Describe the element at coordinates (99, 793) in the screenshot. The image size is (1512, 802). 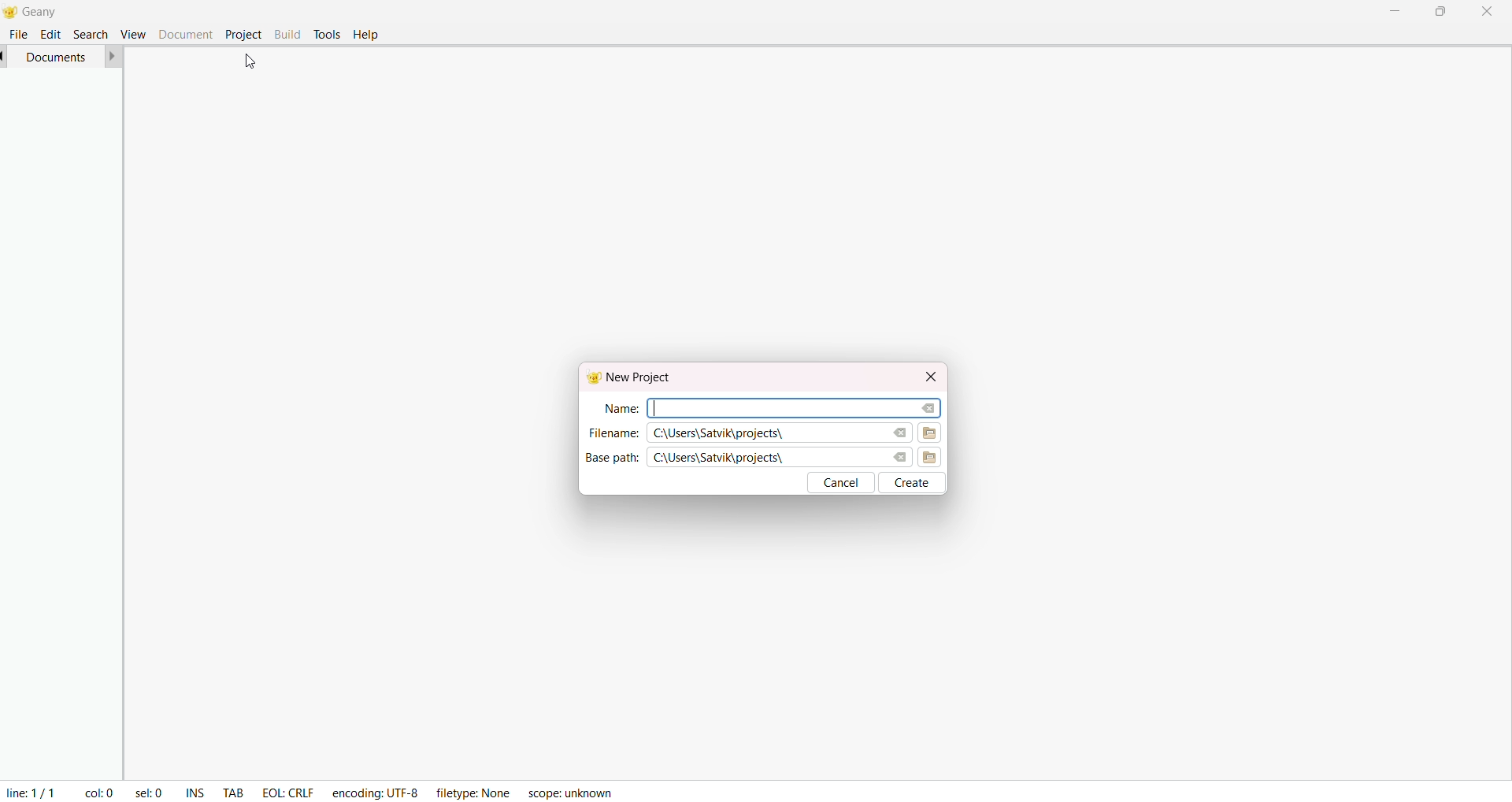
I see `coL: 0` at that location.